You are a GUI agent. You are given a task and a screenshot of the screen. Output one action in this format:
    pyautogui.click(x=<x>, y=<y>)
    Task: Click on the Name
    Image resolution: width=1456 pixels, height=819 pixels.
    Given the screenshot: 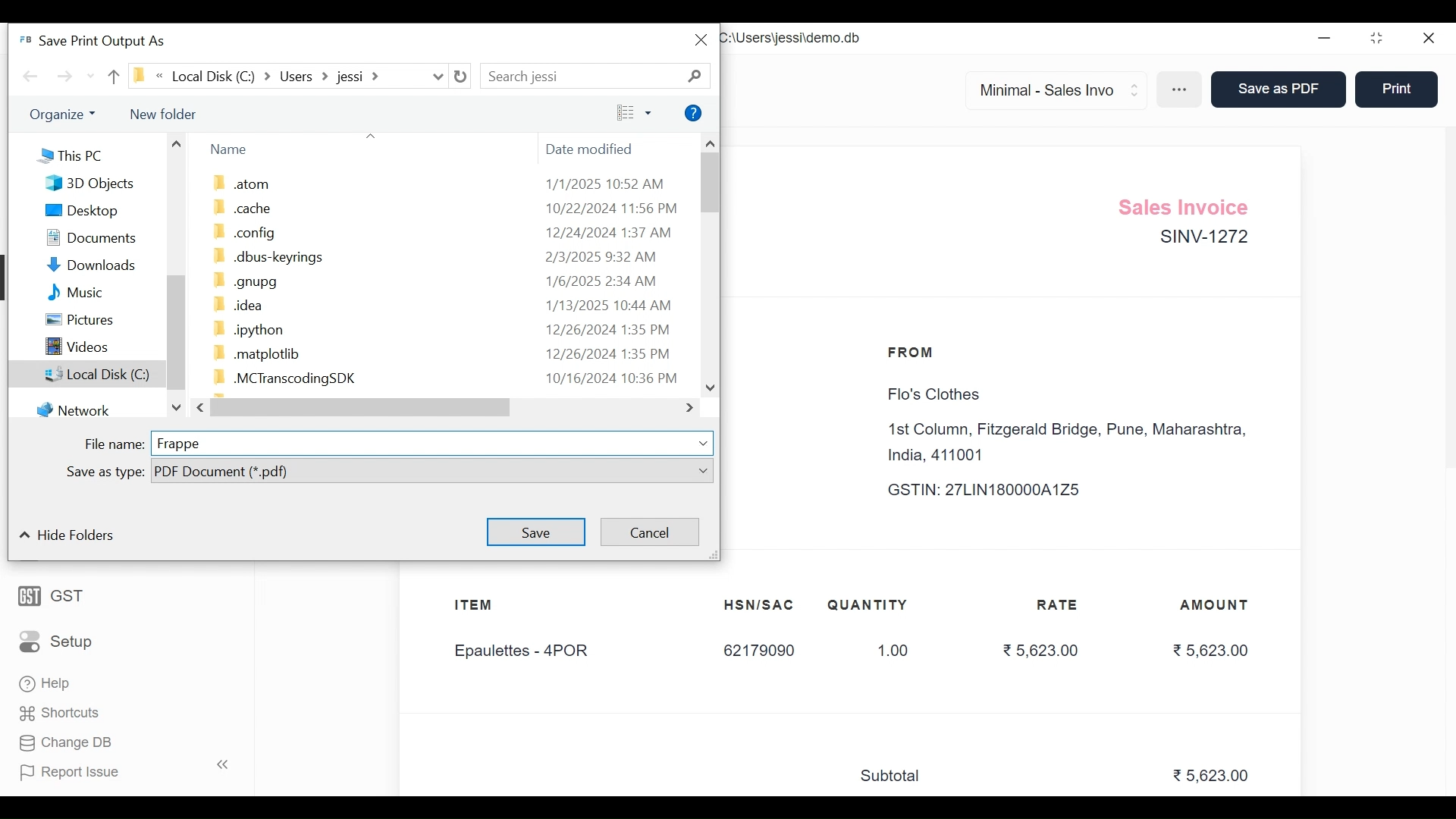 What is the action you would take?
    pyautogui.click(x=227, y=149)
    